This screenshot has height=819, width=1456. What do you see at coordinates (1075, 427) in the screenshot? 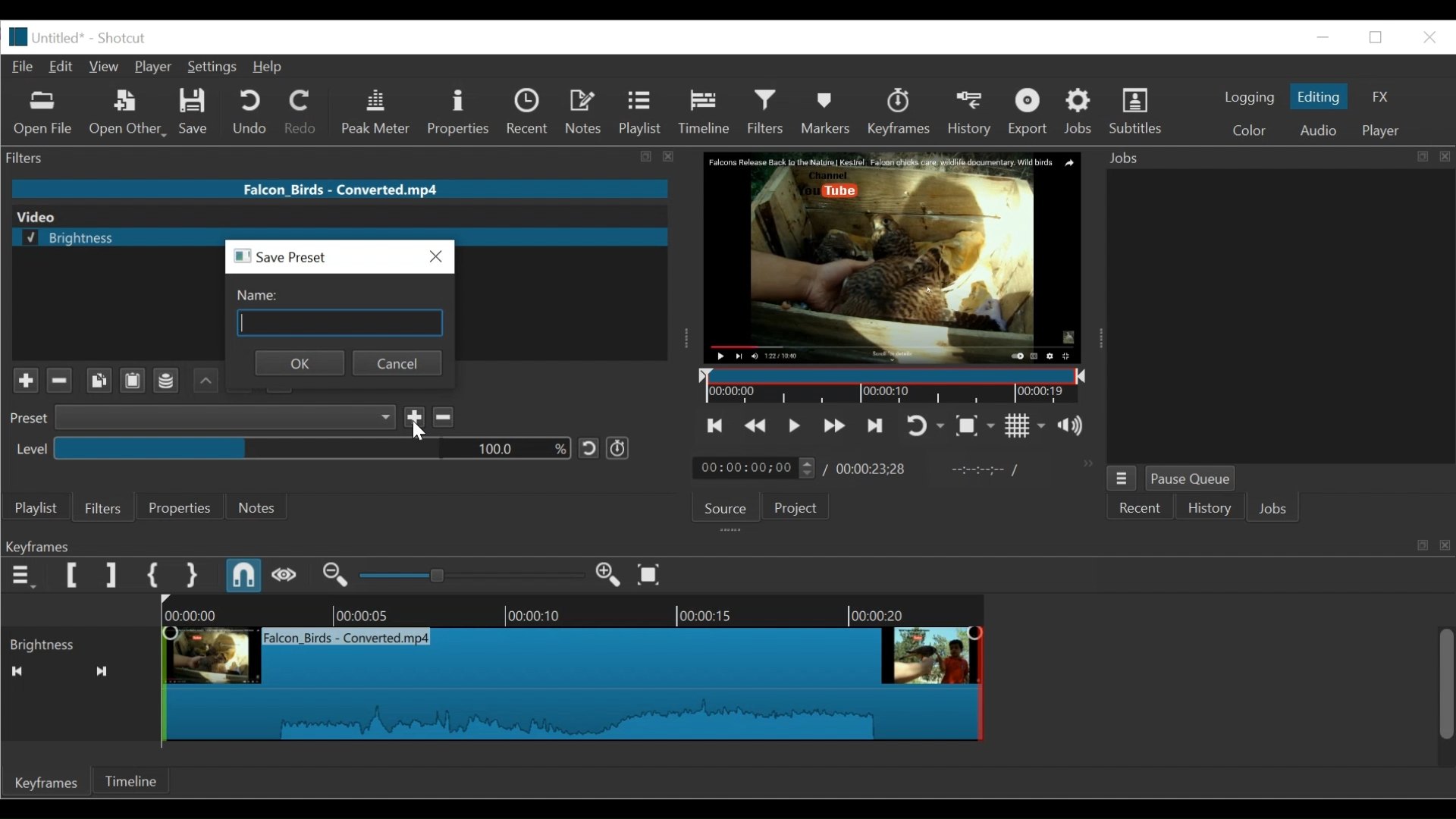
I see `Show the volume control` at bounding box center [1075, 427].